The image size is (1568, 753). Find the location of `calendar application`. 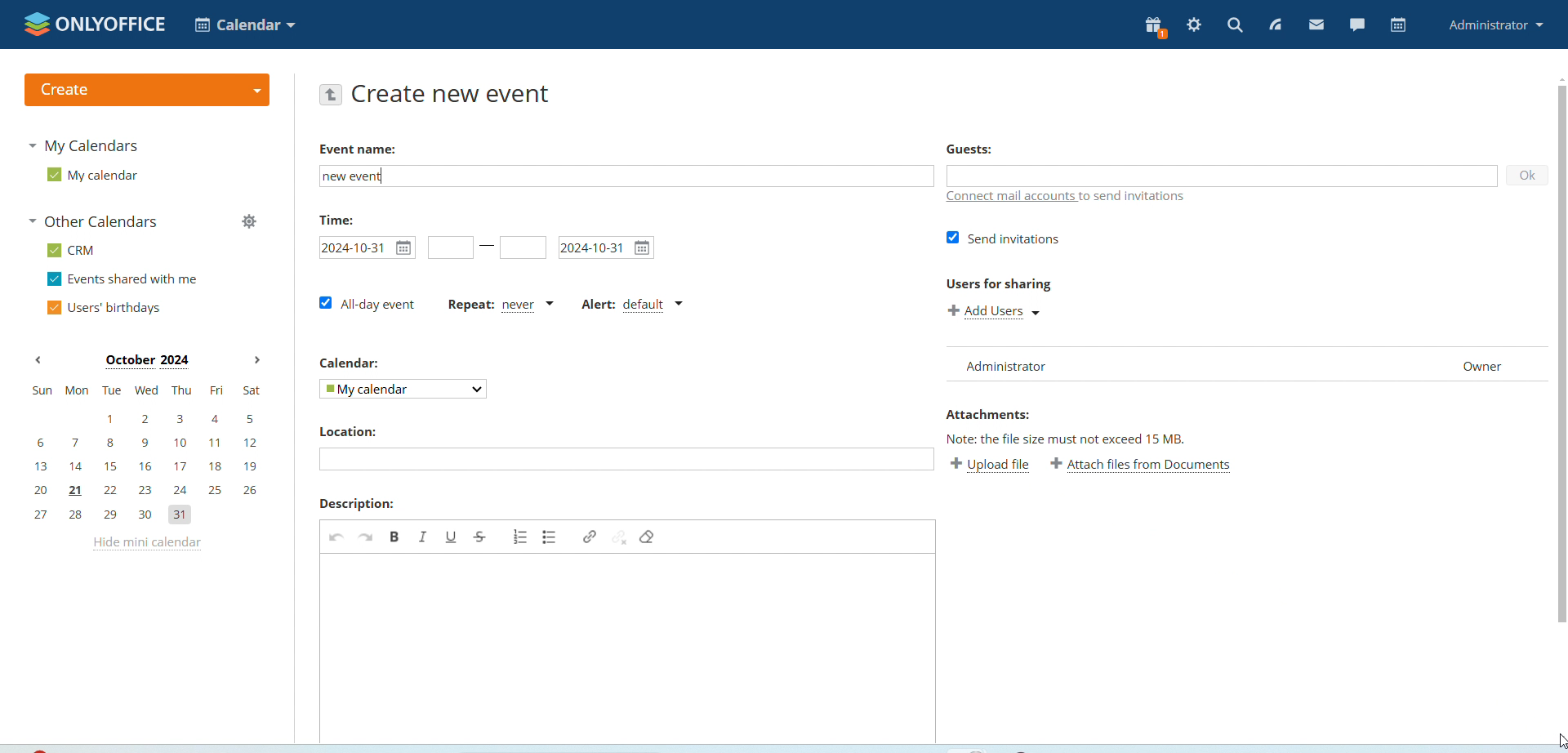

calendar application is located at coordinates (243, 24).